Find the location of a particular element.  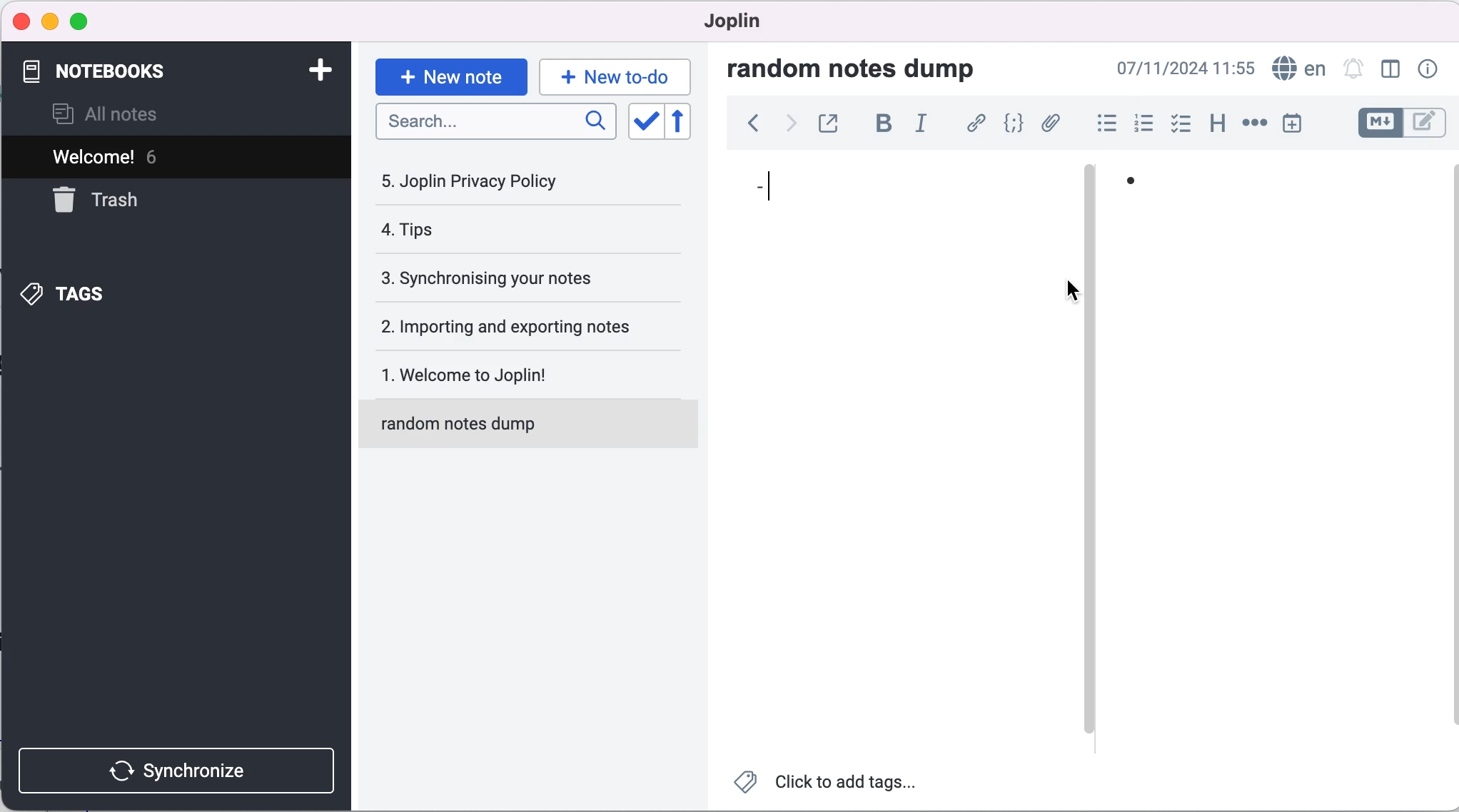

click to add tags is located at coordinates (832, 785).